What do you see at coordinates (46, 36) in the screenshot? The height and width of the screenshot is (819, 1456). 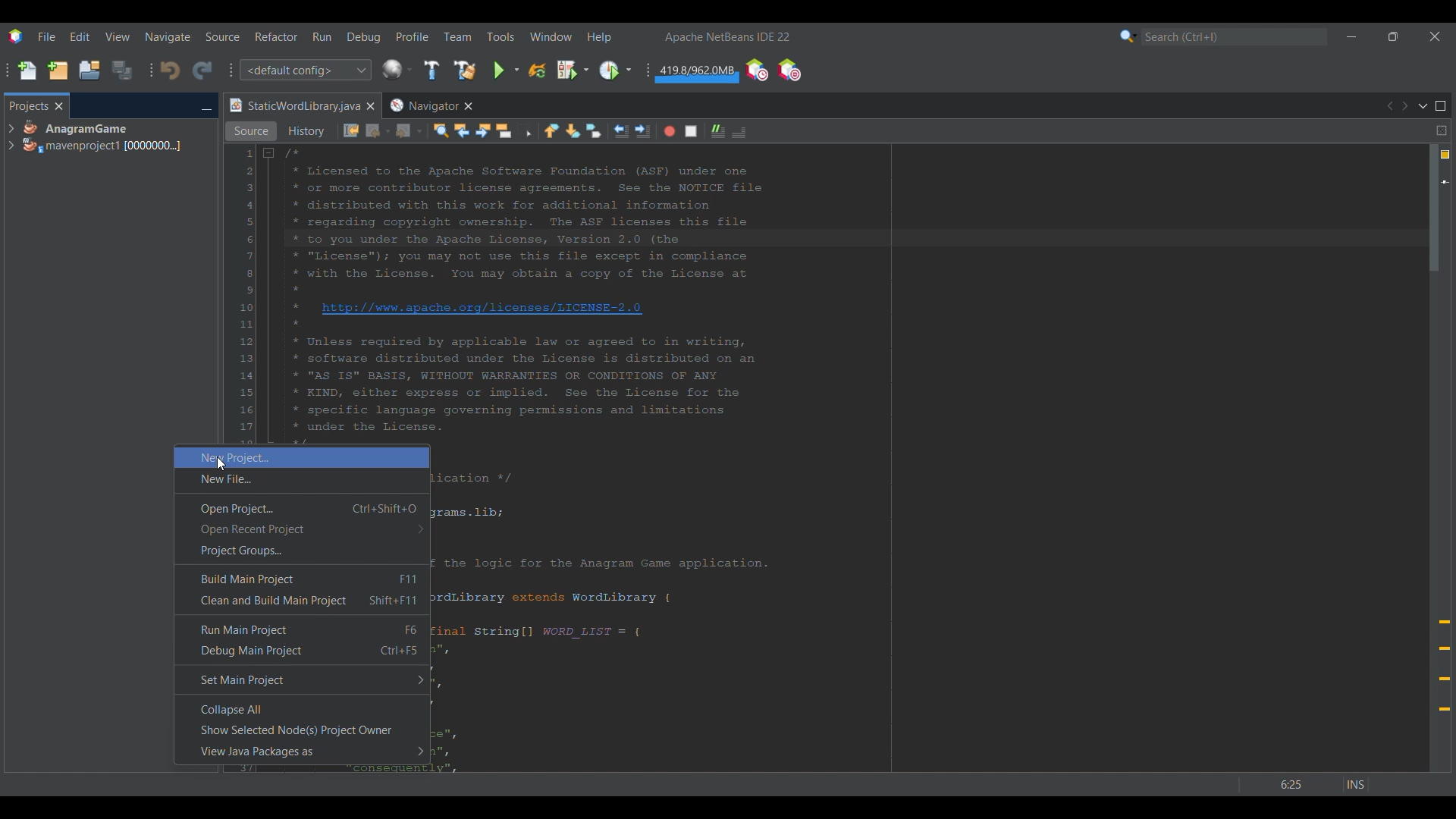 I see `File menu` at bounding box center [46, 36].